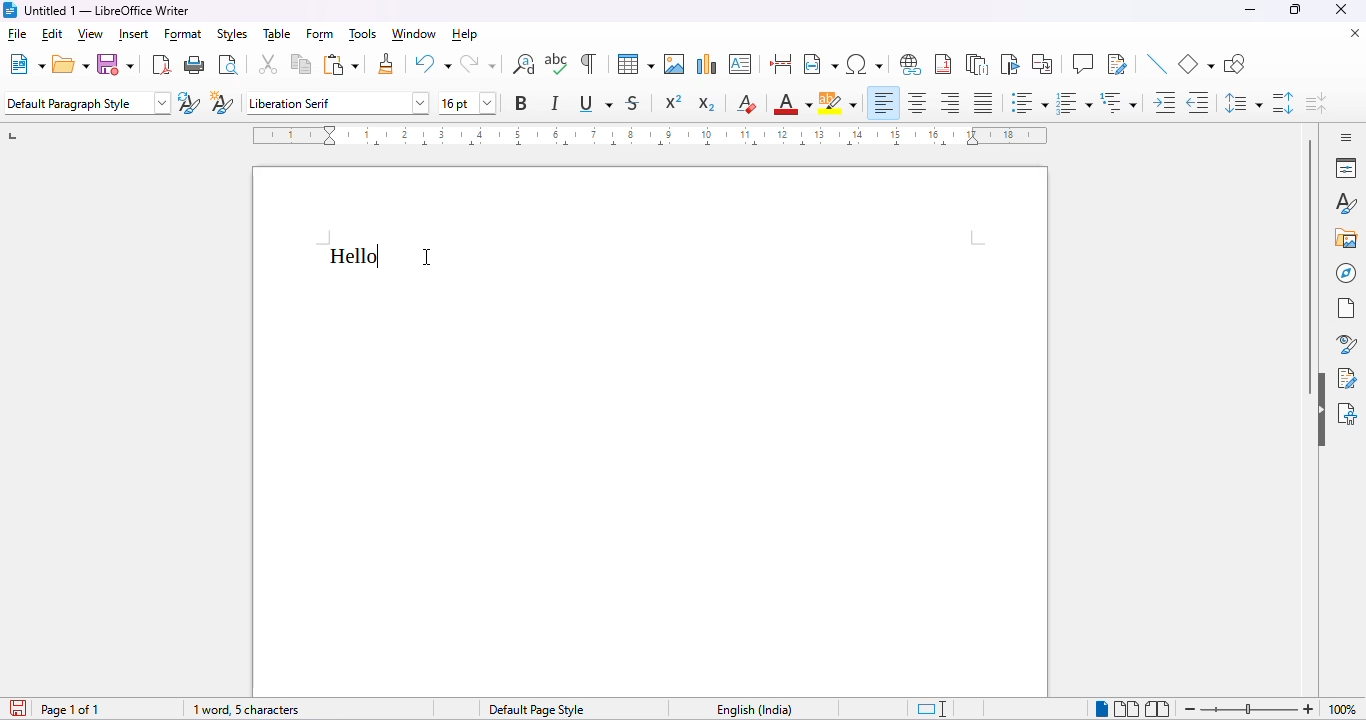  I want to click on Hello, so click(356, 257).